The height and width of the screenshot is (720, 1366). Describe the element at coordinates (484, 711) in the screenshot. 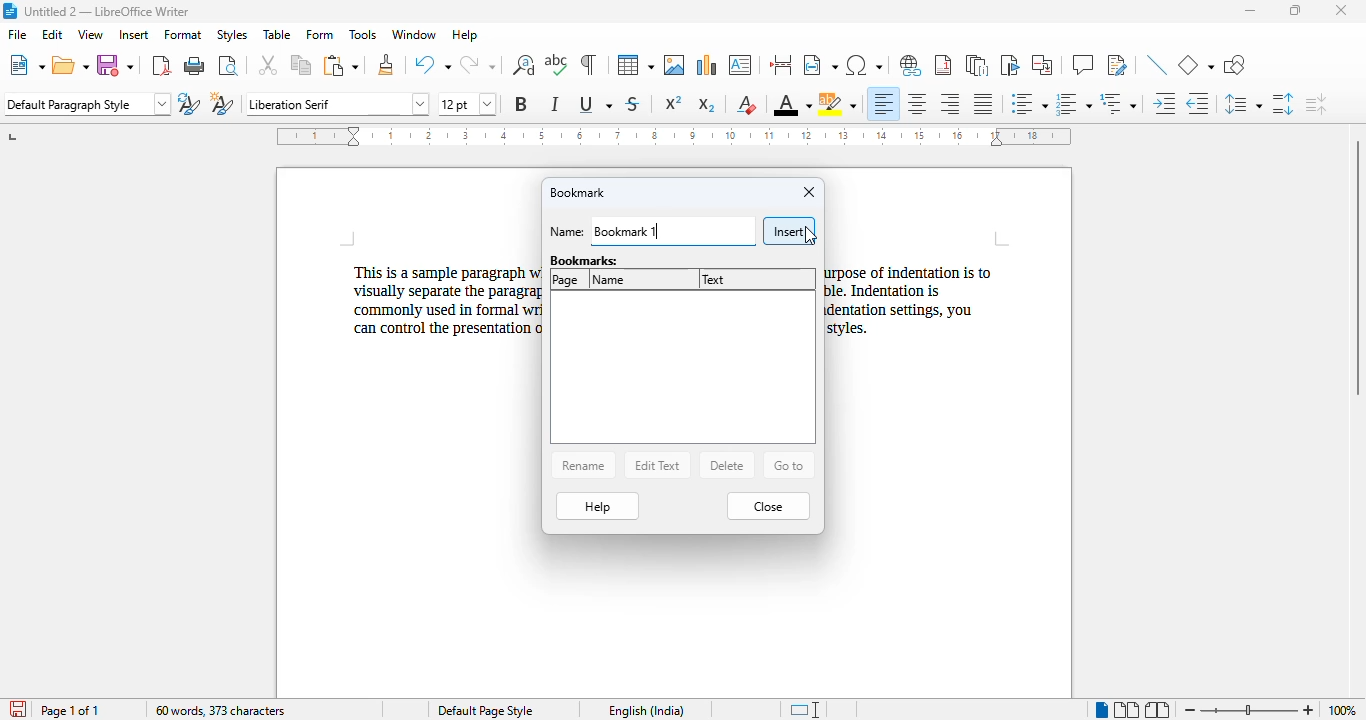

I see `page style` at that location.